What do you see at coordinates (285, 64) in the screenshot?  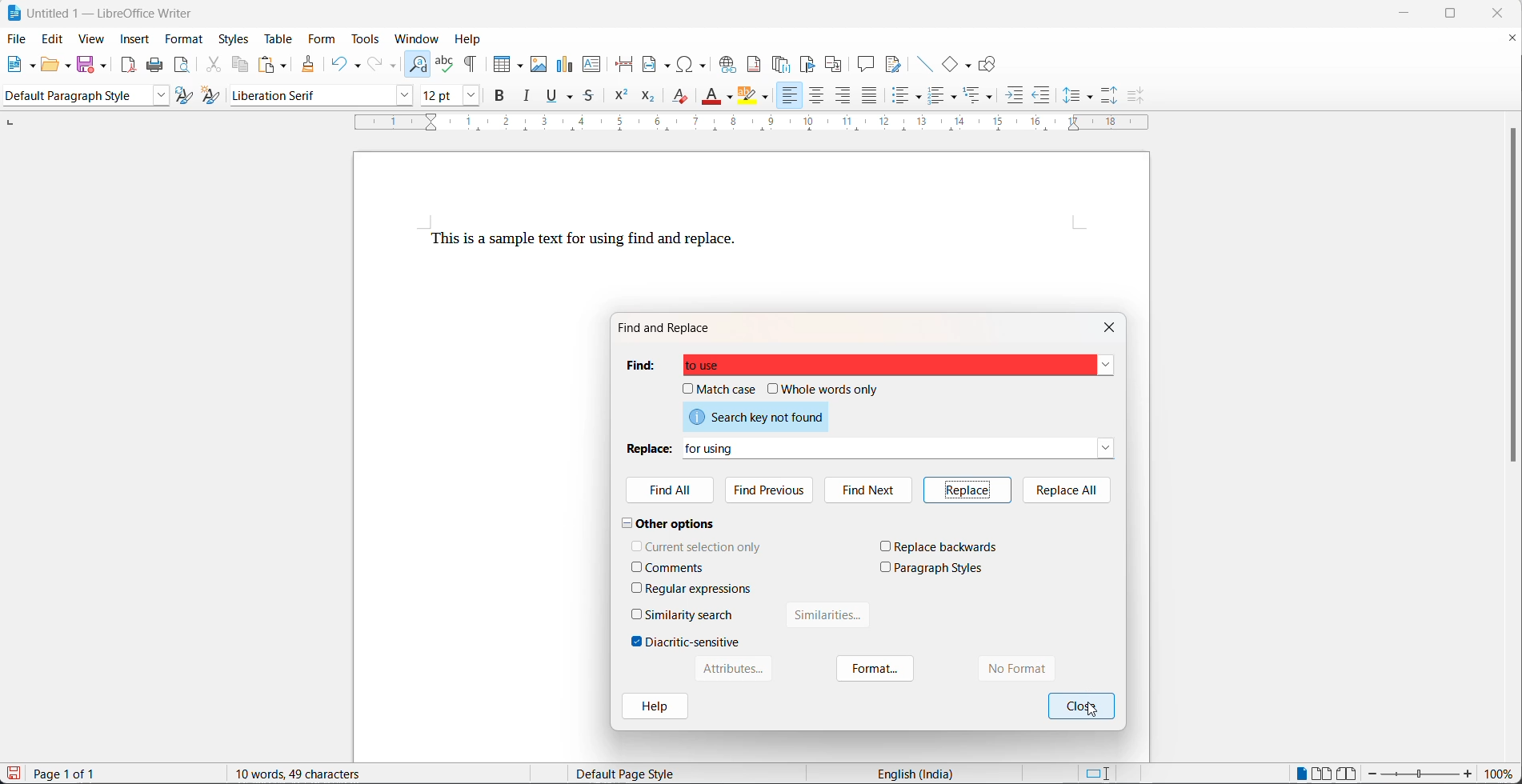 I see `paste options` at bounding box center [285, 64].